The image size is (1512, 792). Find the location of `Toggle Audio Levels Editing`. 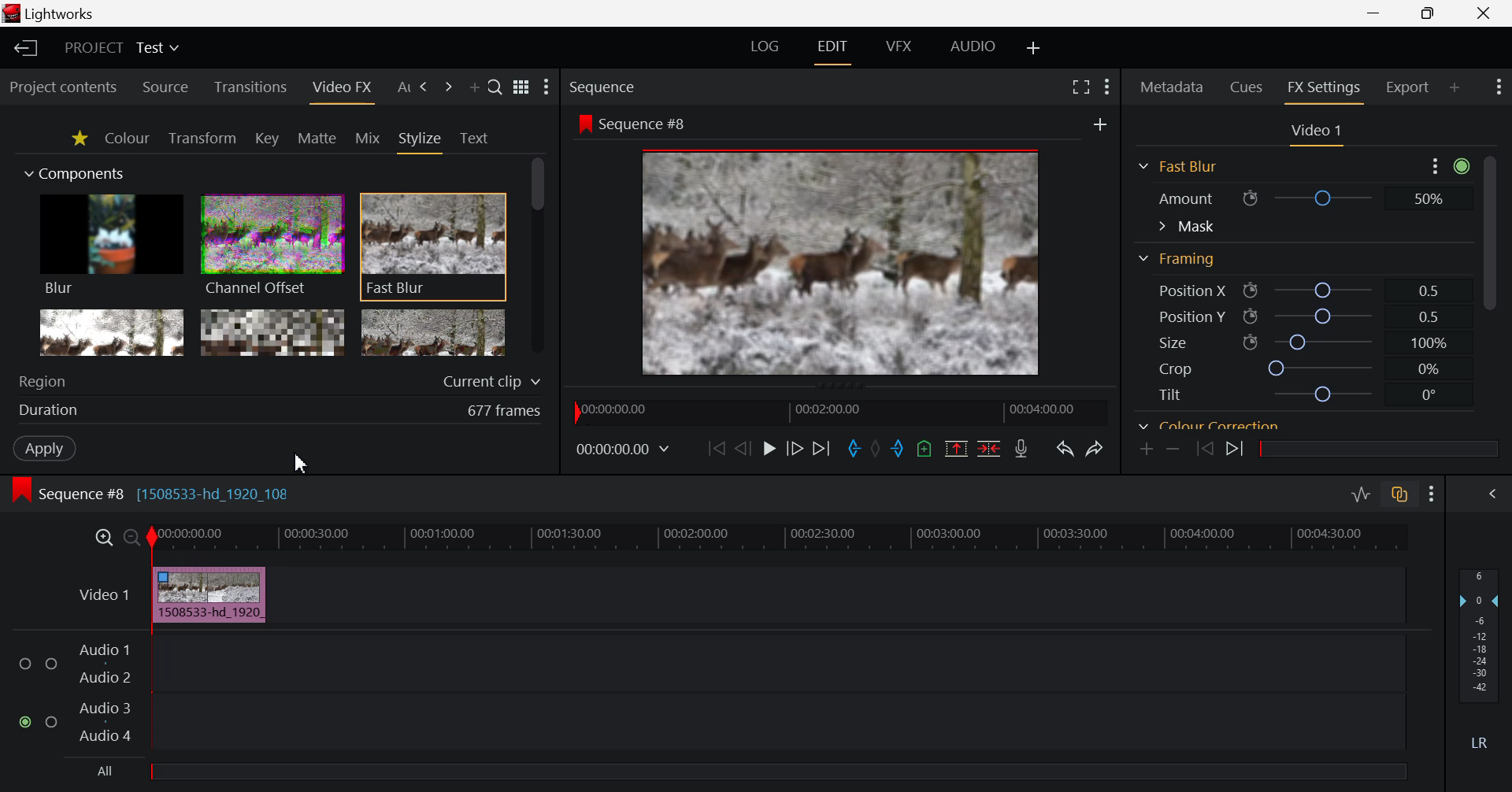

Toggle Audio Levels Editing is located at coordinates (1362, 494).